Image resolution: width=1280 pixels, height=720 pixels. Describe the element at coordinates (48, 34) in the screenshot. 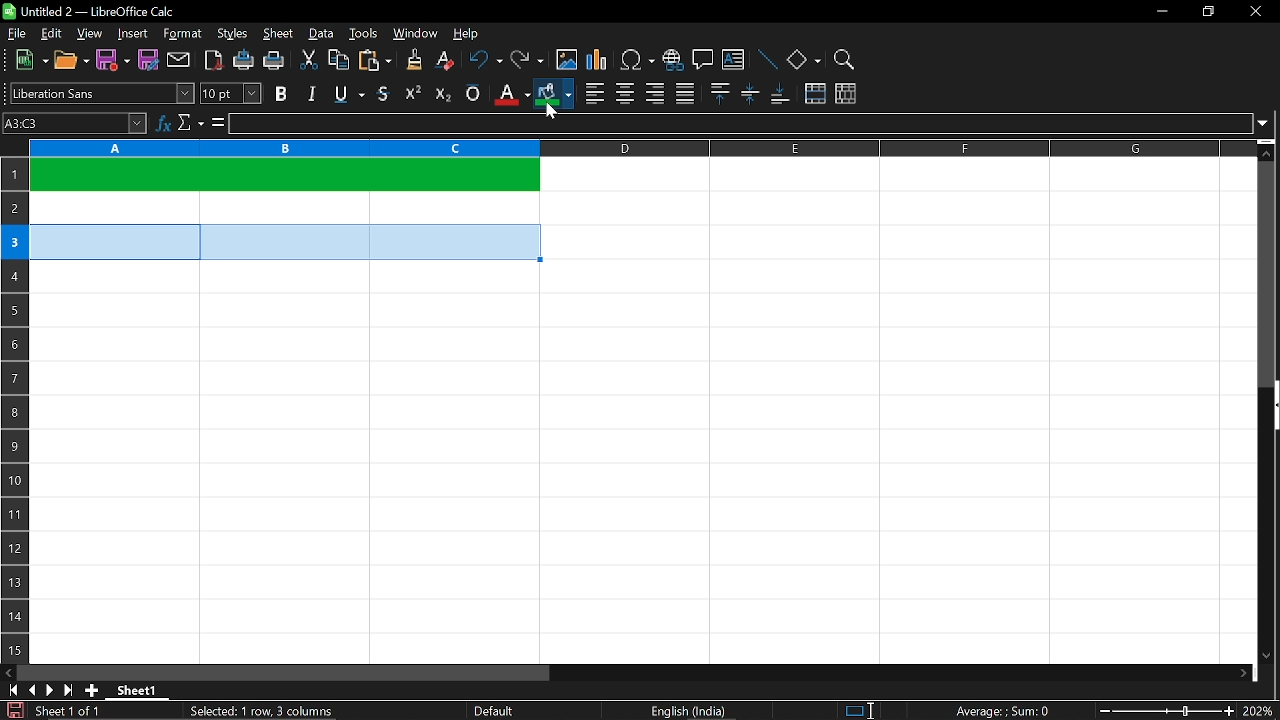

I see `edit` at that location.